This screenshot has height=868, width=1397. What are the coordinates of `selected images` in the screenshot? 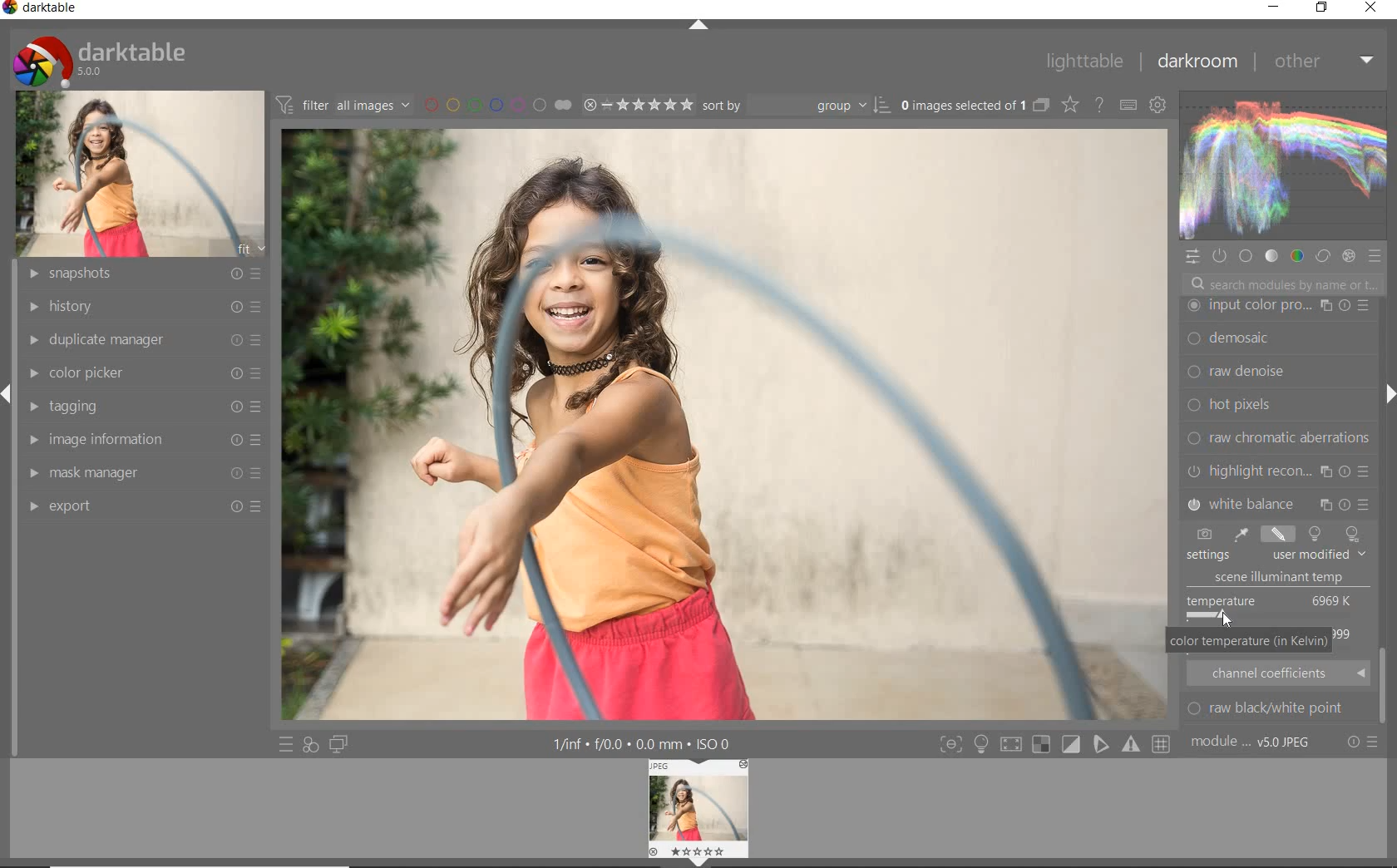 It's located at (961, 105).